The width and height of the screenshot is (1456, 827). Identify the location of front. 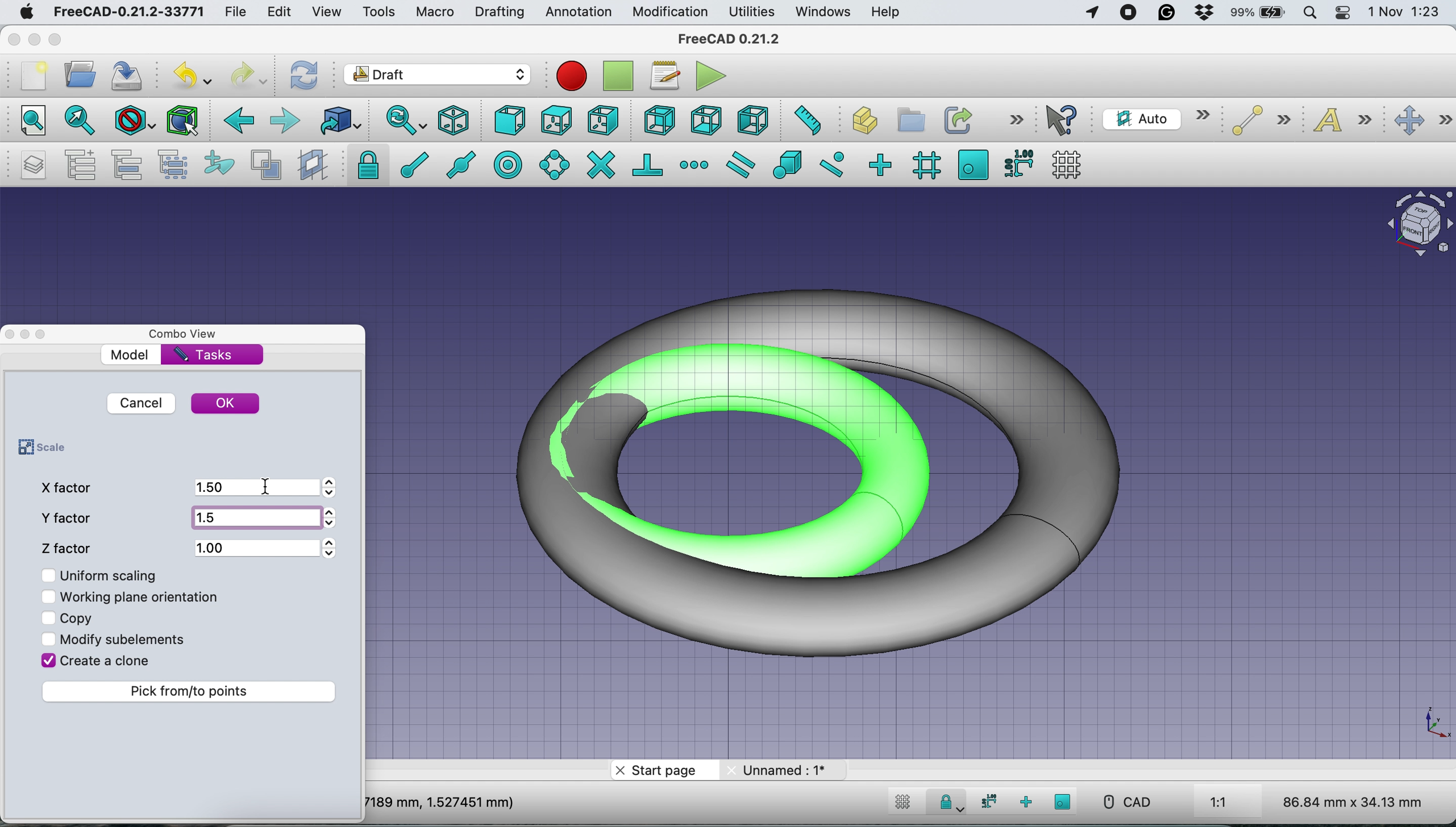
(509, 122).